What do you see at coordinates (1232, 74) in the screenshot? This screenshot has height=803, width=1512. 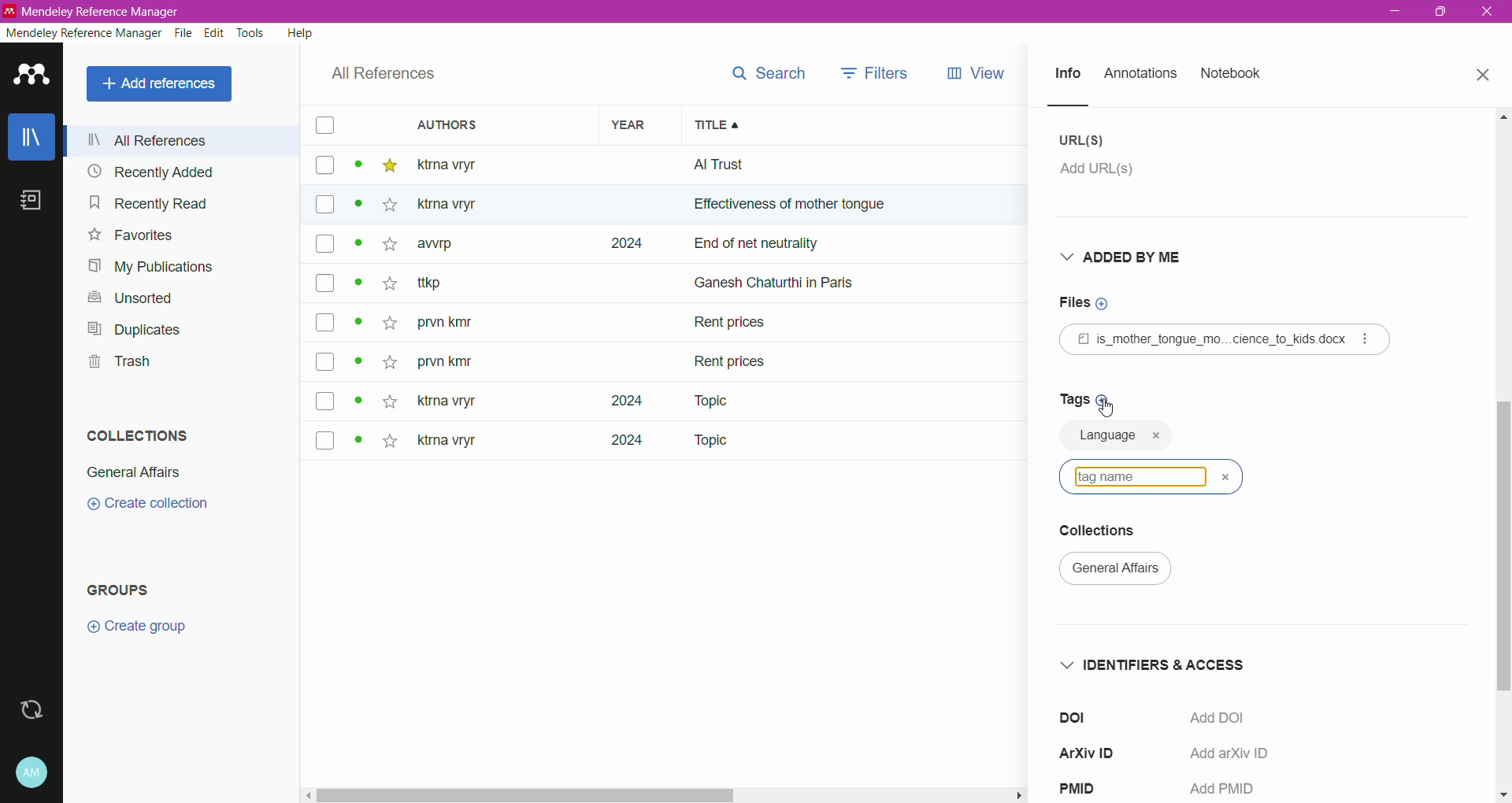 I see `Notebook` at bounding box center [1232, 74].